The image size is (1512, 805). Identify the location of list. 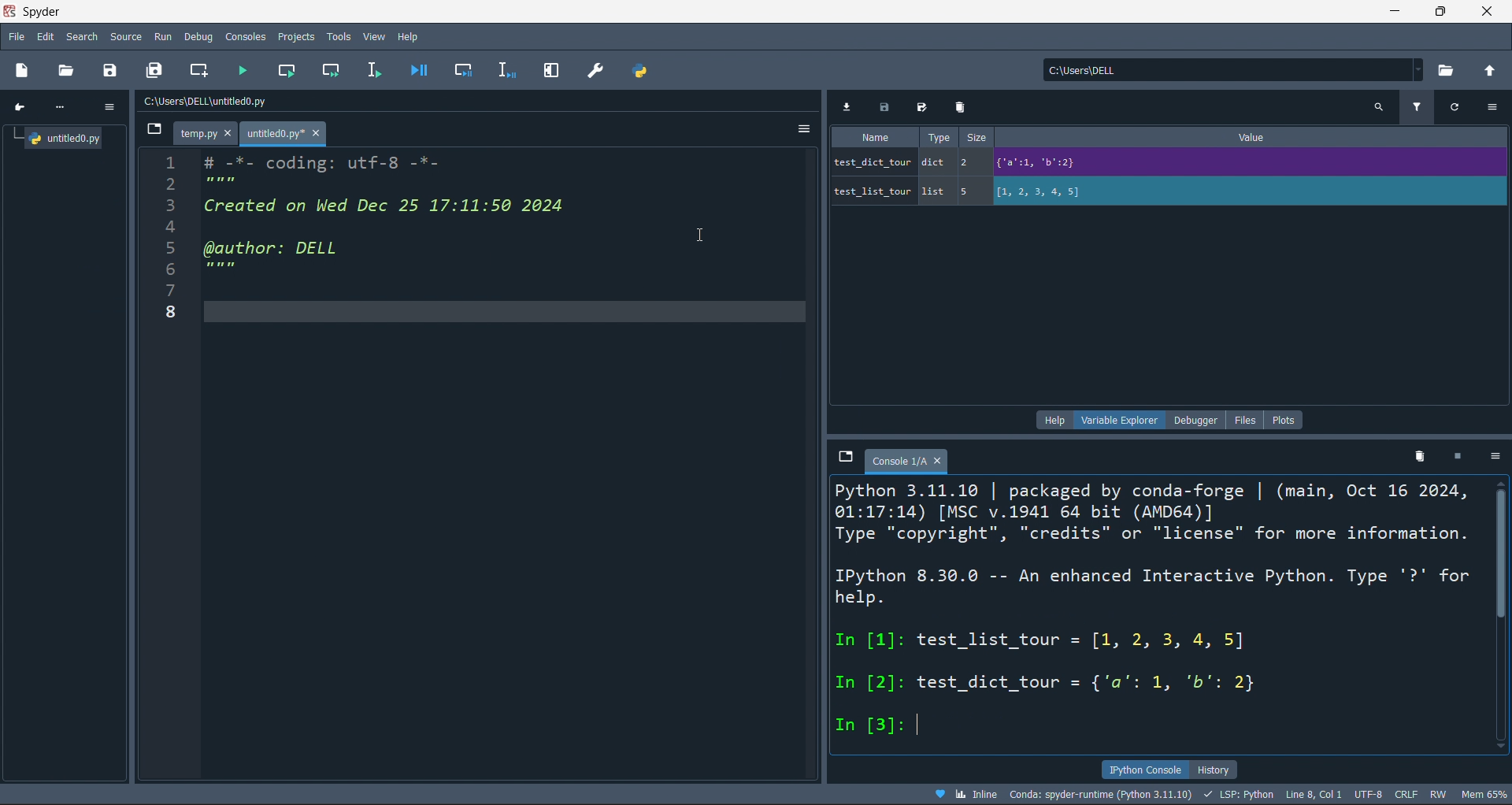
(936, 191).